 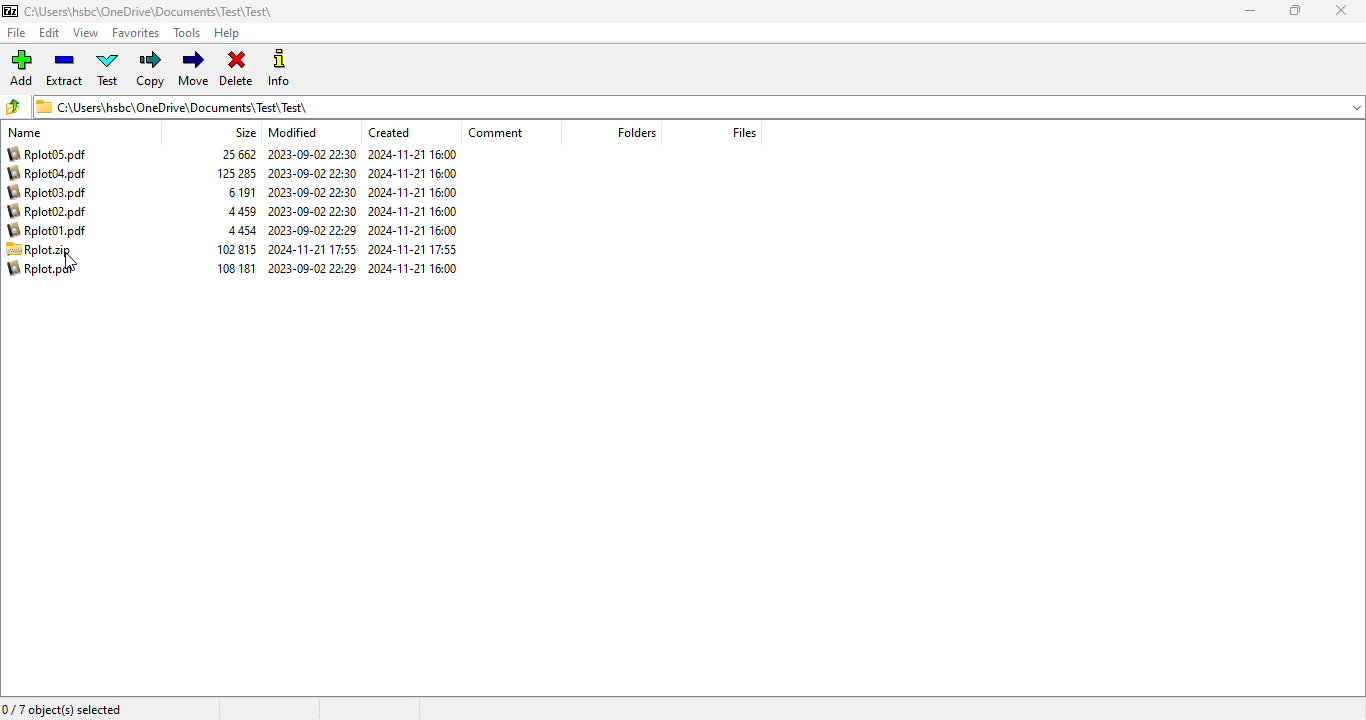 What do you see at coordinates (361, 173) in the screenshot?
I see `2023-09-02 22:30  2024-11-21 16:00` at bounding box center [361, 173].